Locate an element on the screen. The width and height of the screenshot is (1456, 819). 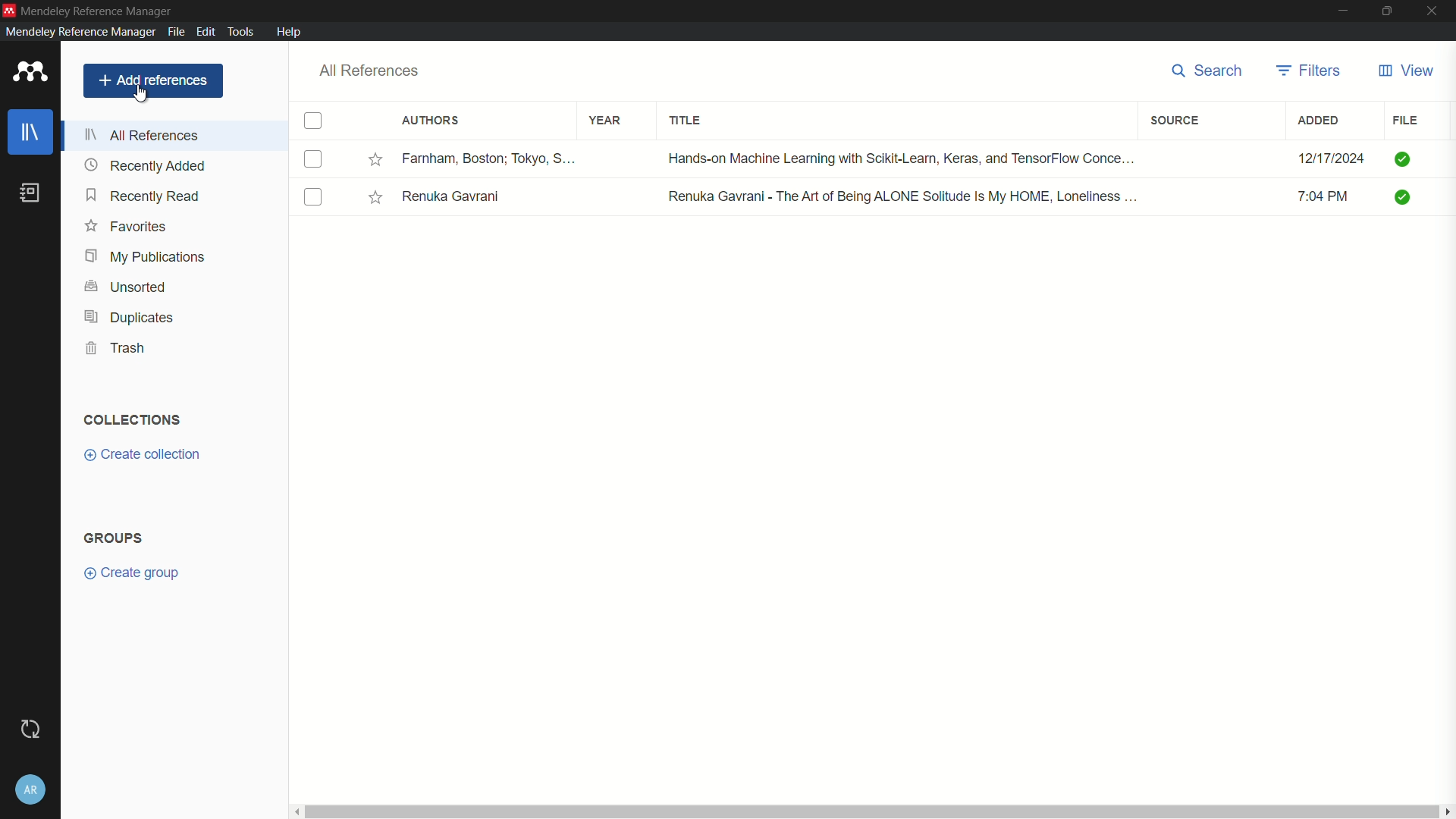
file is located at coordinates (1405, 120).